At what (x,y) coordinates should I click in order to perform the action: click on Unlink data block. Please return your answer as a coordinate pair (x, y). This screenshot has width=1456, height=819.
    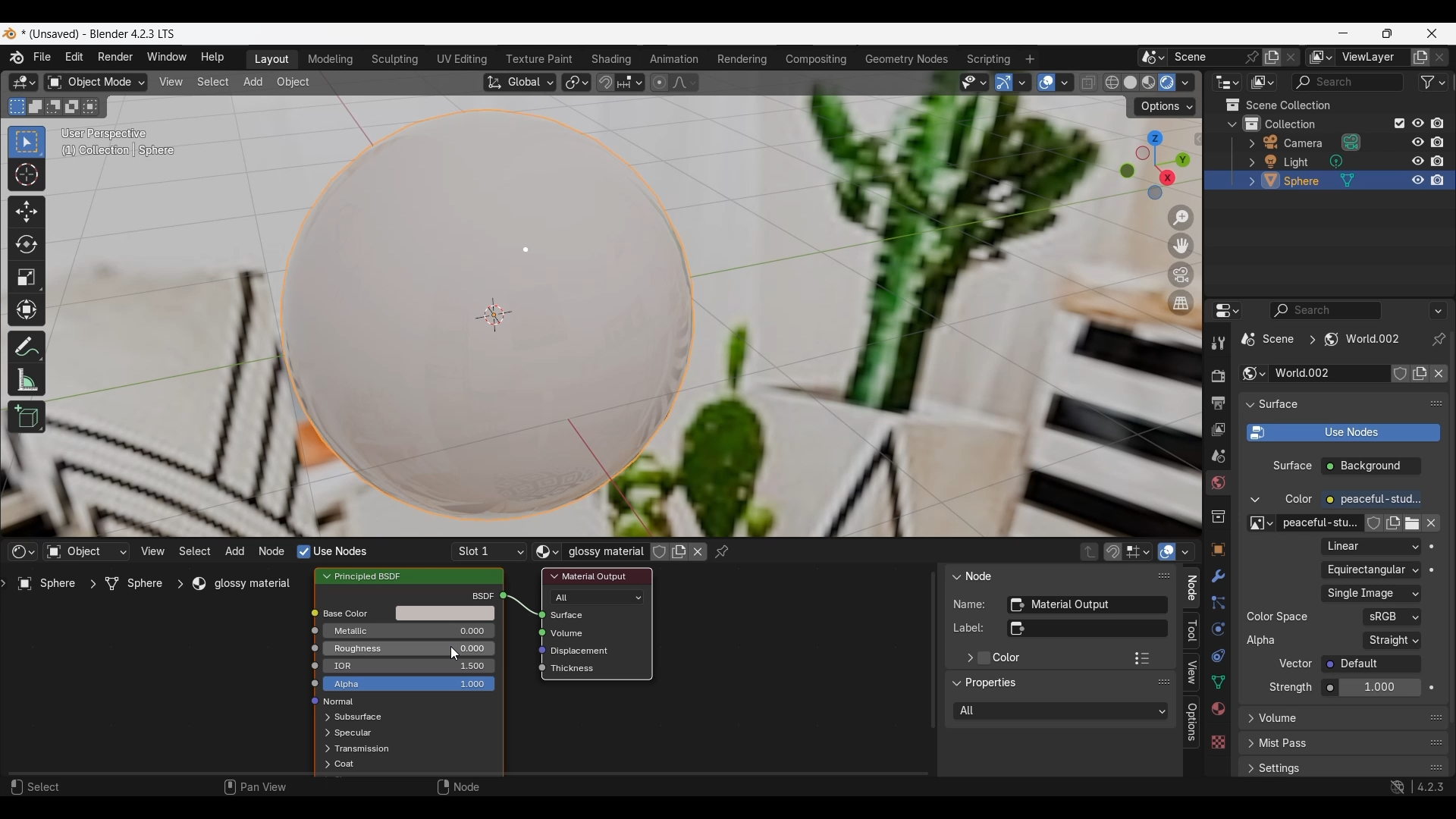
    Looking at the image, I should click on (1431, 523).